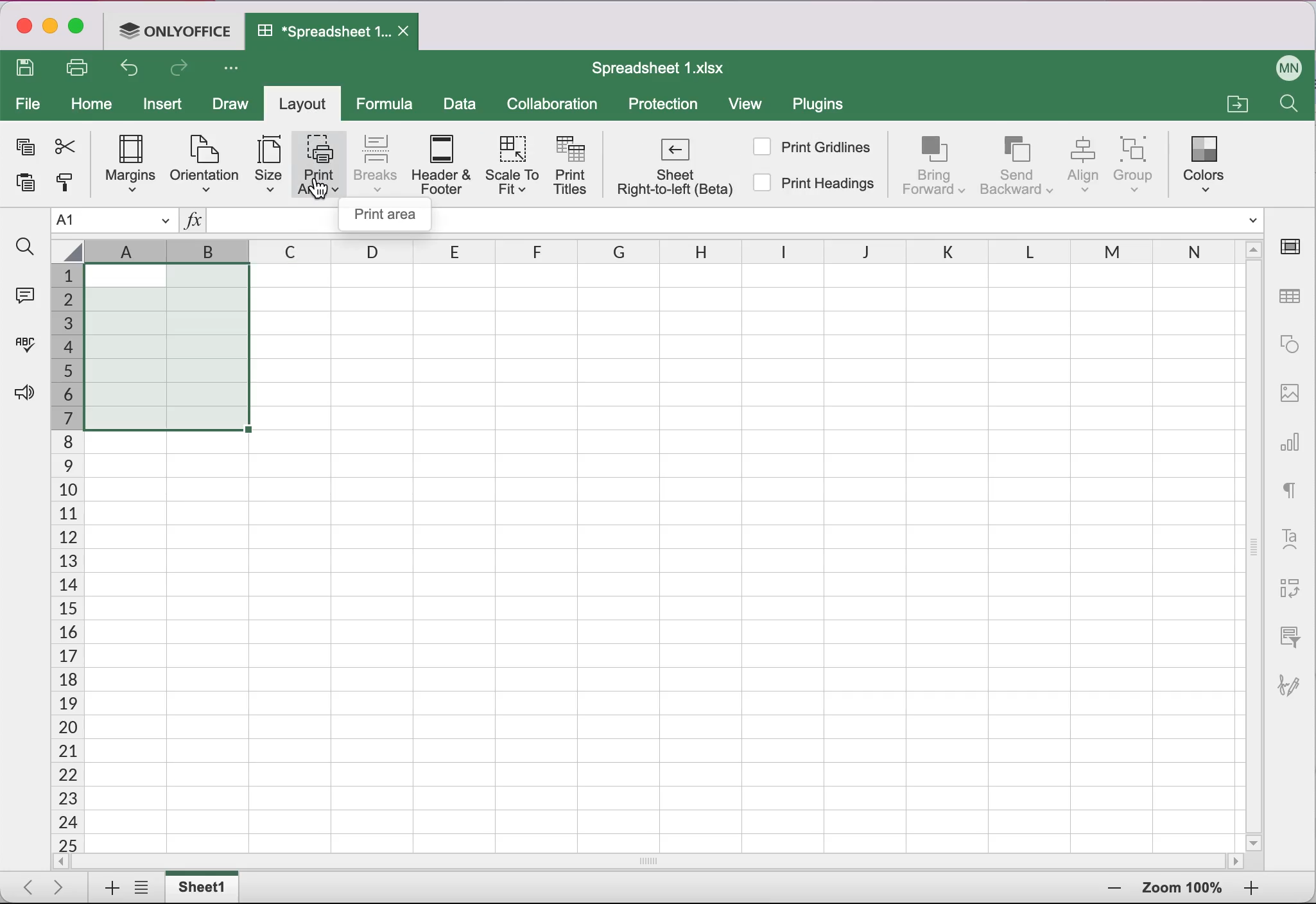  Describe the element at coordinates (203, 163) in the screenshot. I see `Orientation` at that location.